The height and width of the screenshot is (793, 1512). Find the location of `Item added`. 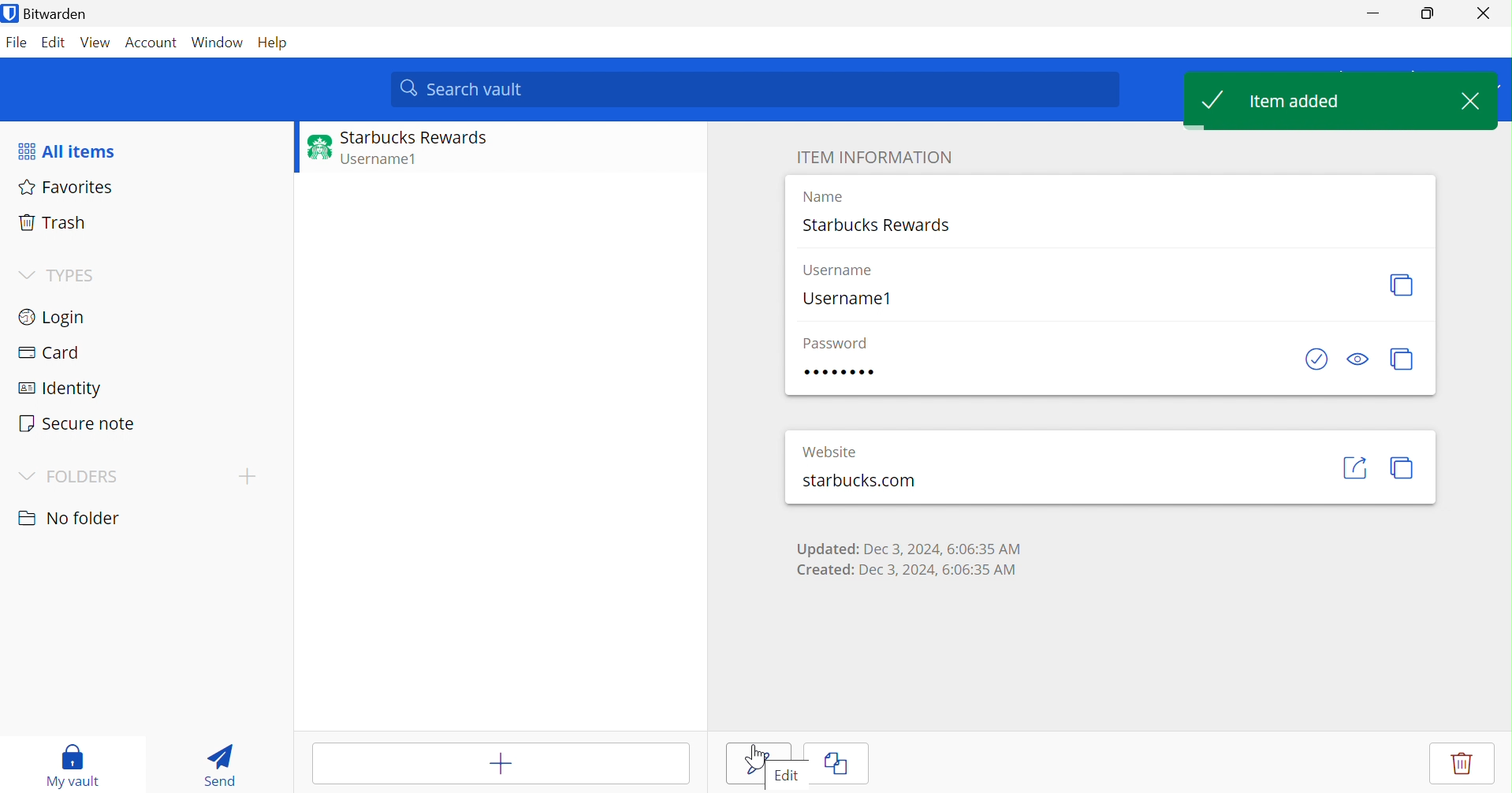

Item added is located at coordinates (1311, 97).